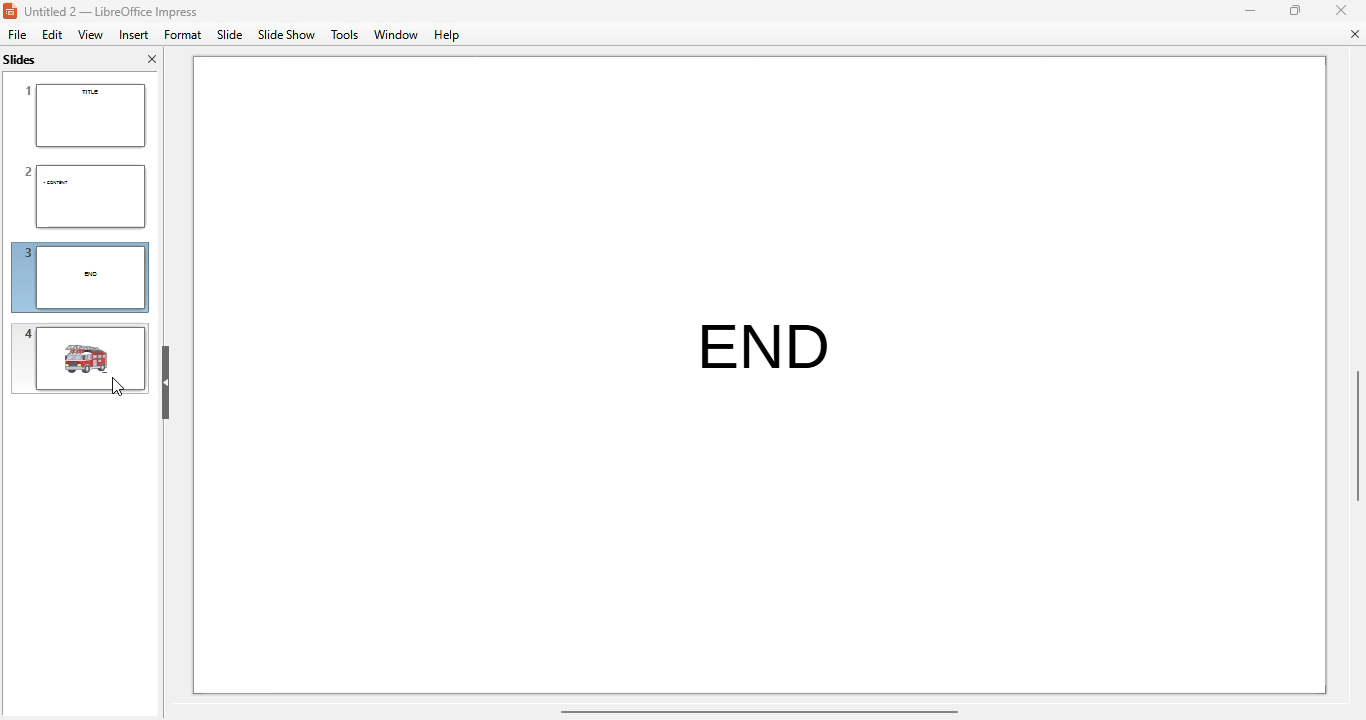 The image size is (1366, 720). Describe the element at coordinates (90, 34) in the screenshot. I see `view` at that location.